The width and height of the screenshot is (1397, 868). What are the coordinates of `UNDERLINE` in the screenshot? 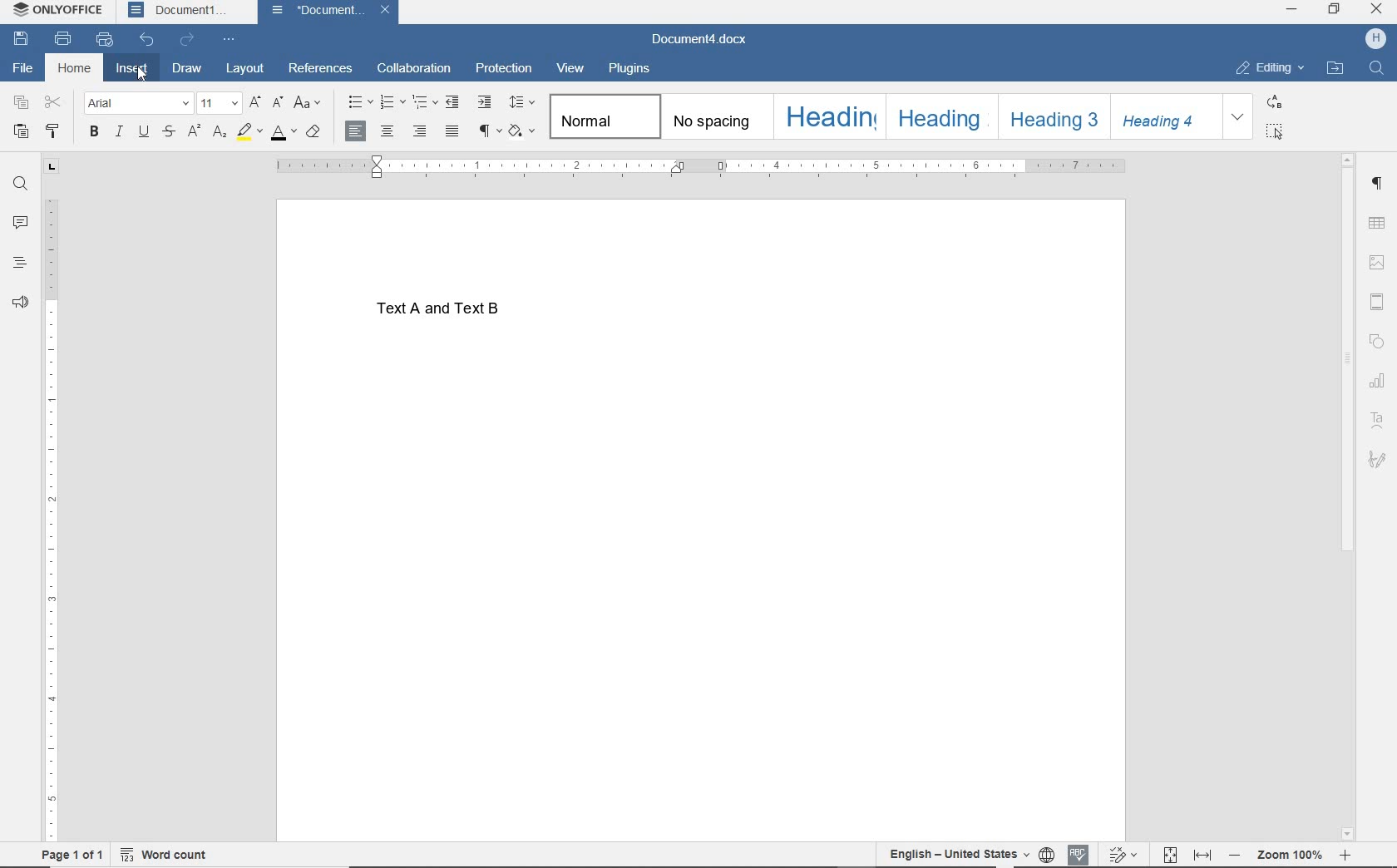 It's located at (142, 132).